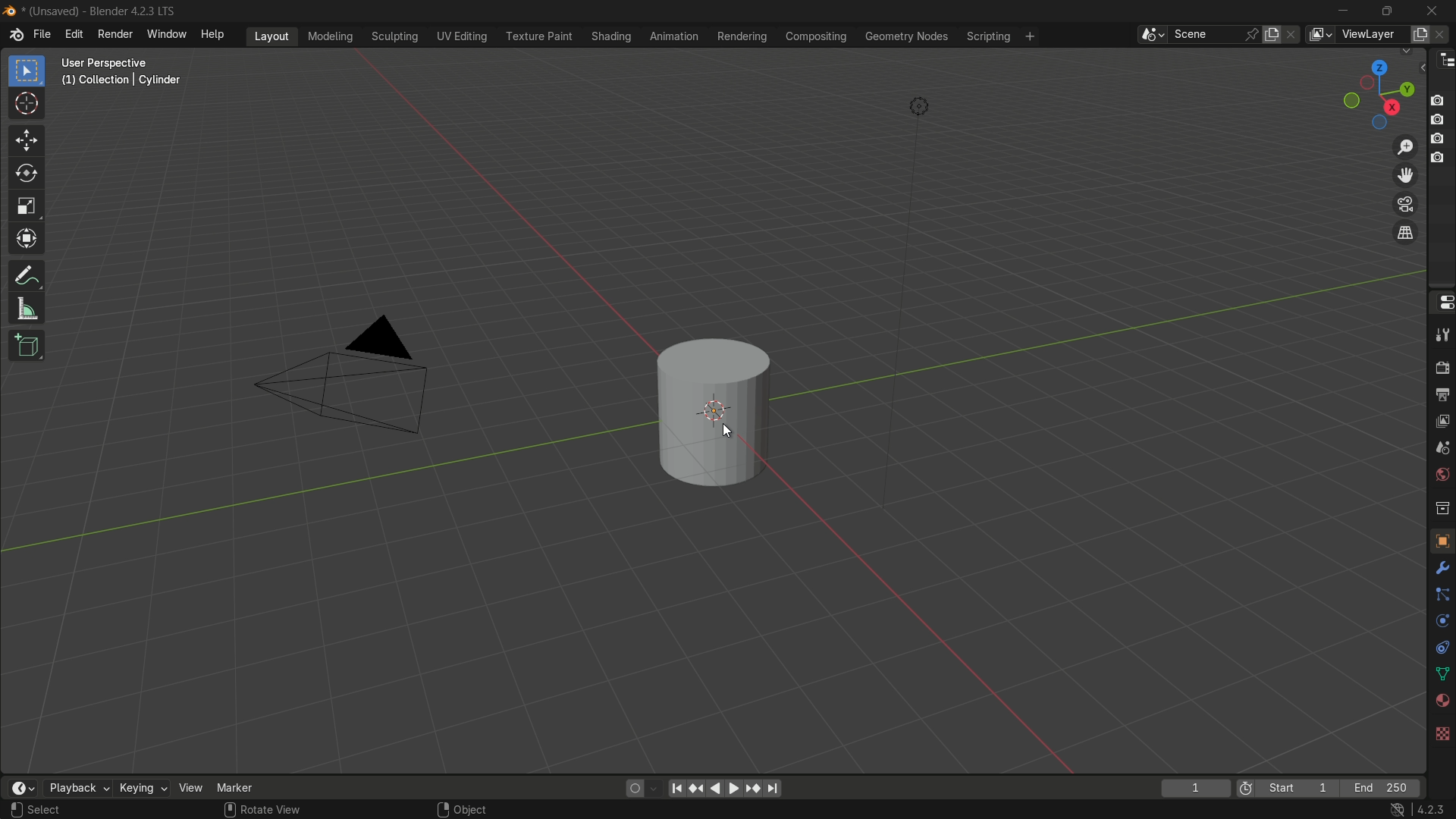 The image size is (1456, 819). What do you see at coordinates (1442, 448) in the screenshot?
I see `scenes` at bounding box center [1442, 448].